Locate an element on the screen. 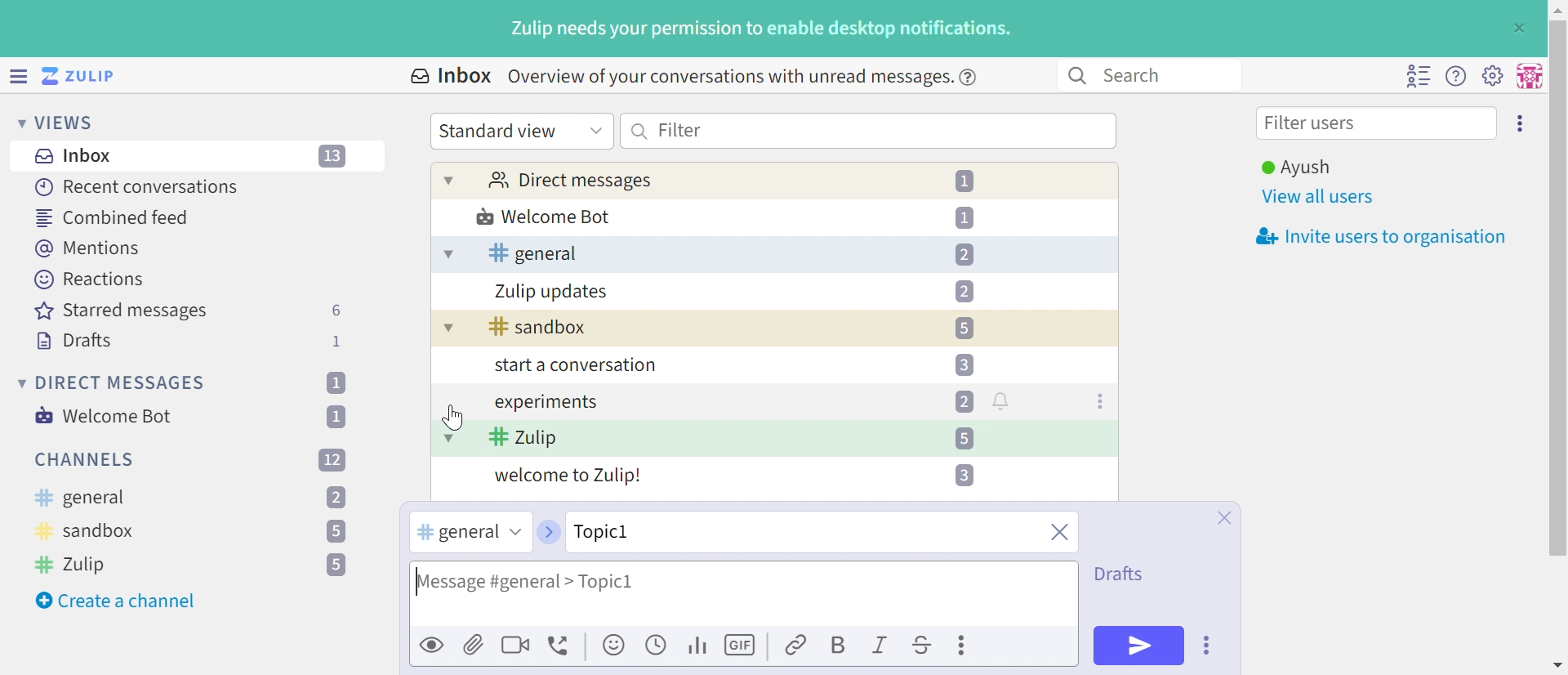 This screenshot has height=675, width=1568. 5 is located at coordinates (335, 533).